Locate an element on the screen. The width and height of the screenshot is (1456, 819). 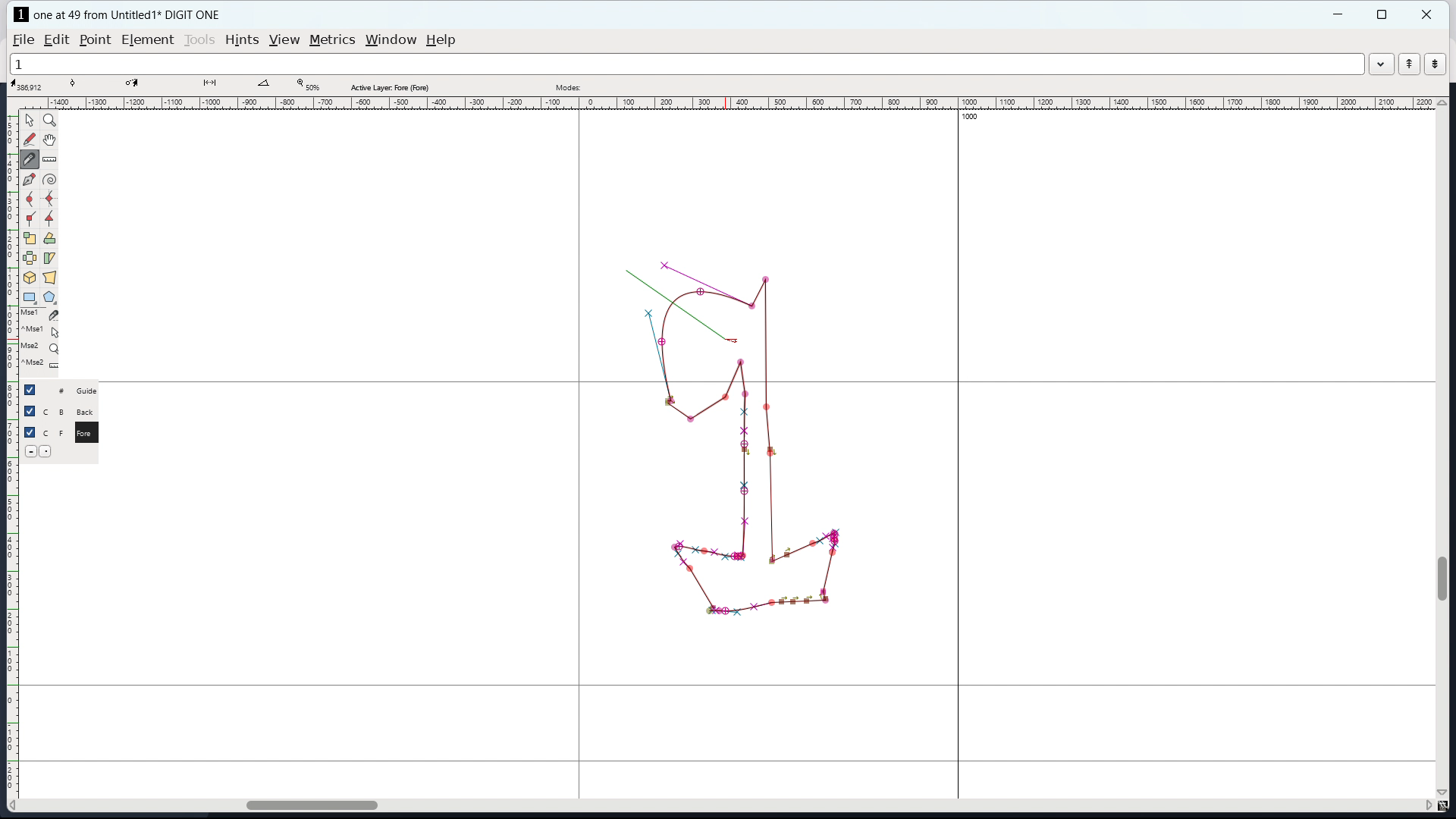
window is located at coordinates (391, 40).